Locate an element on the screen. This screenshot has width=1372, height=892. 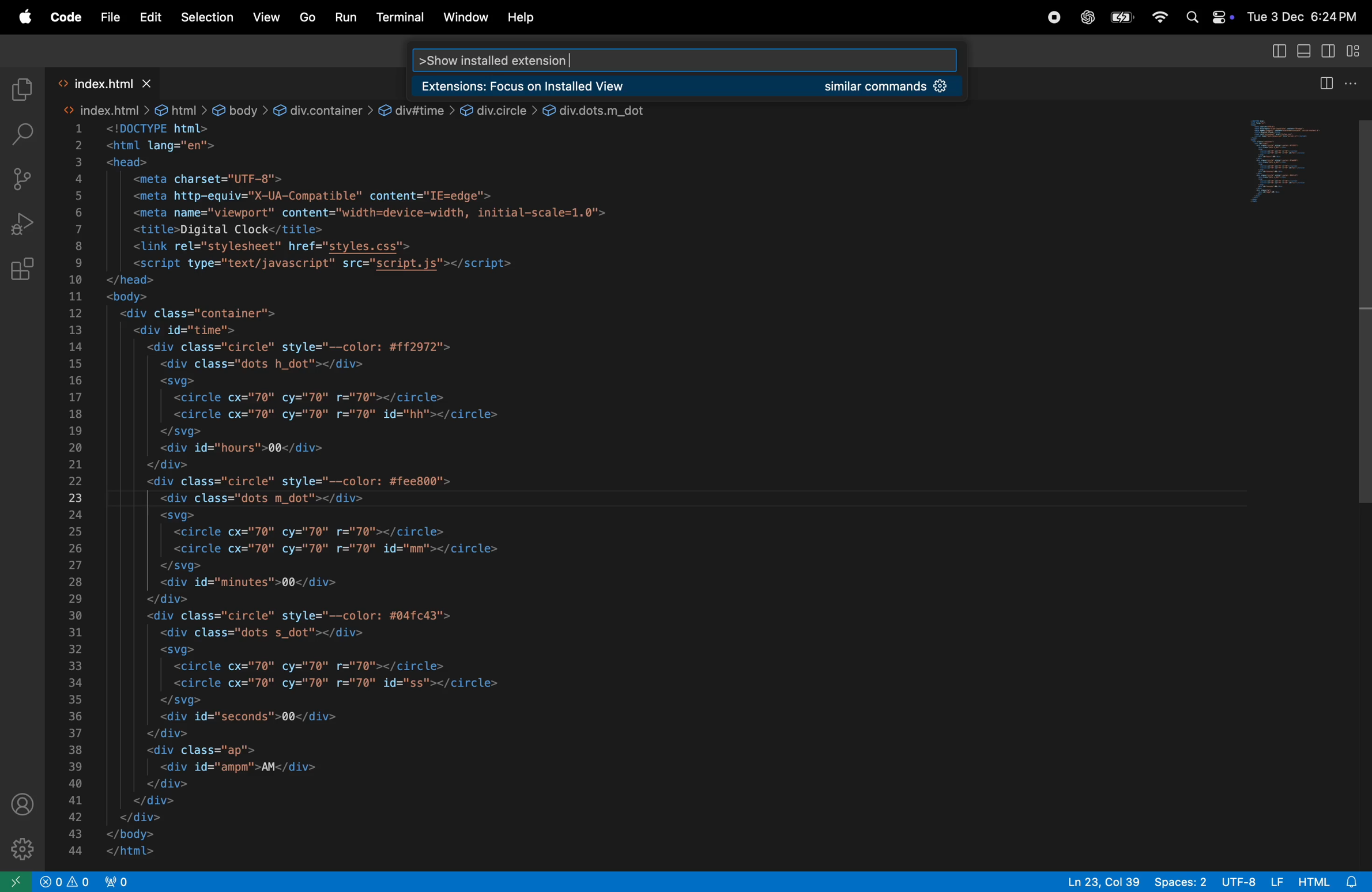
run debug is located at coordinates (19, 225).